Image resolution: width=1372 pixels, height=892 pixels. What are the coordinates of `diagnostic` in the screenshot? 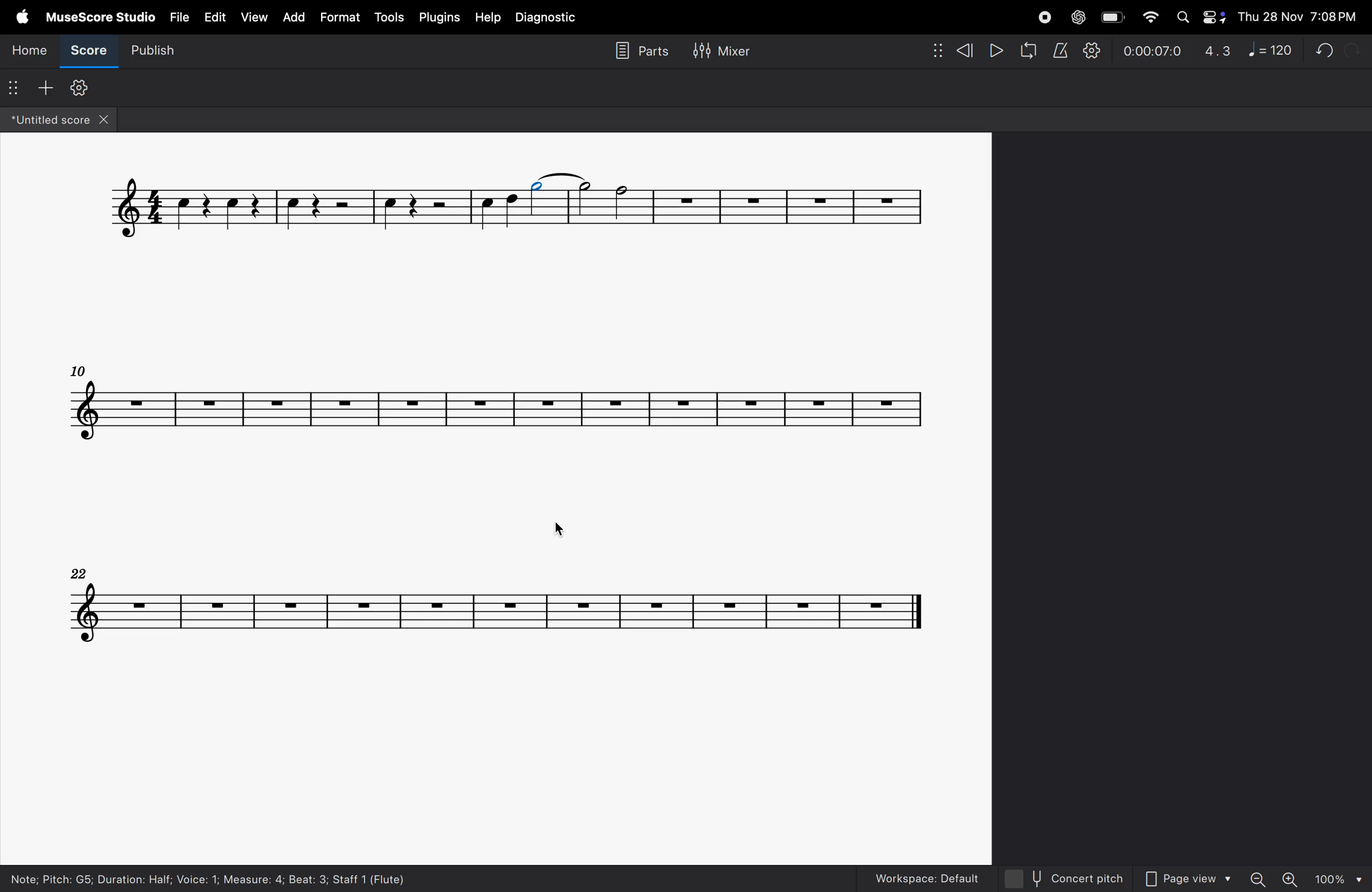 It's located at (551, 18).